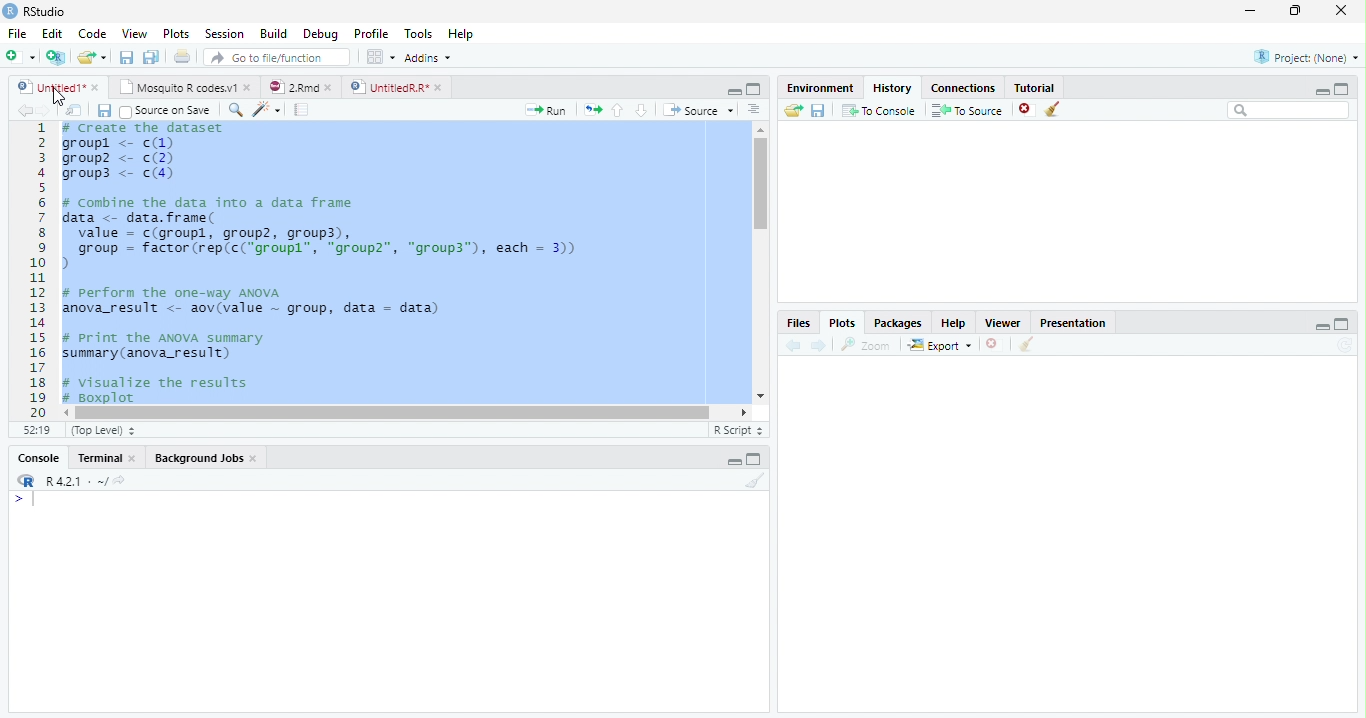 This screenshot has width=1366, height=718. What do you see at coordinates (731, 90) in the screenshot?
I see `Minimize` at bounding box center [731, 90].